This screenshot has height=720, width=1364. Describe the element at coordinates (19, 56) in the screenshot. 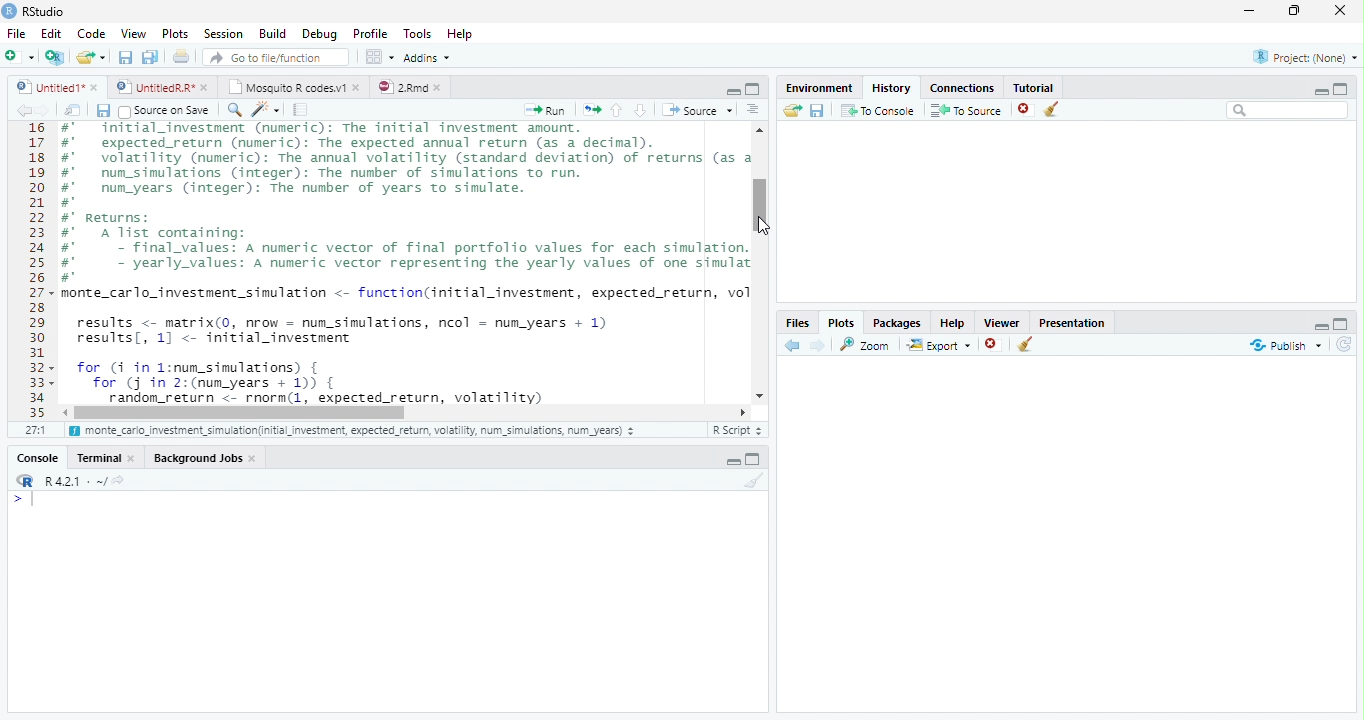

I see `Open new file` at that location.